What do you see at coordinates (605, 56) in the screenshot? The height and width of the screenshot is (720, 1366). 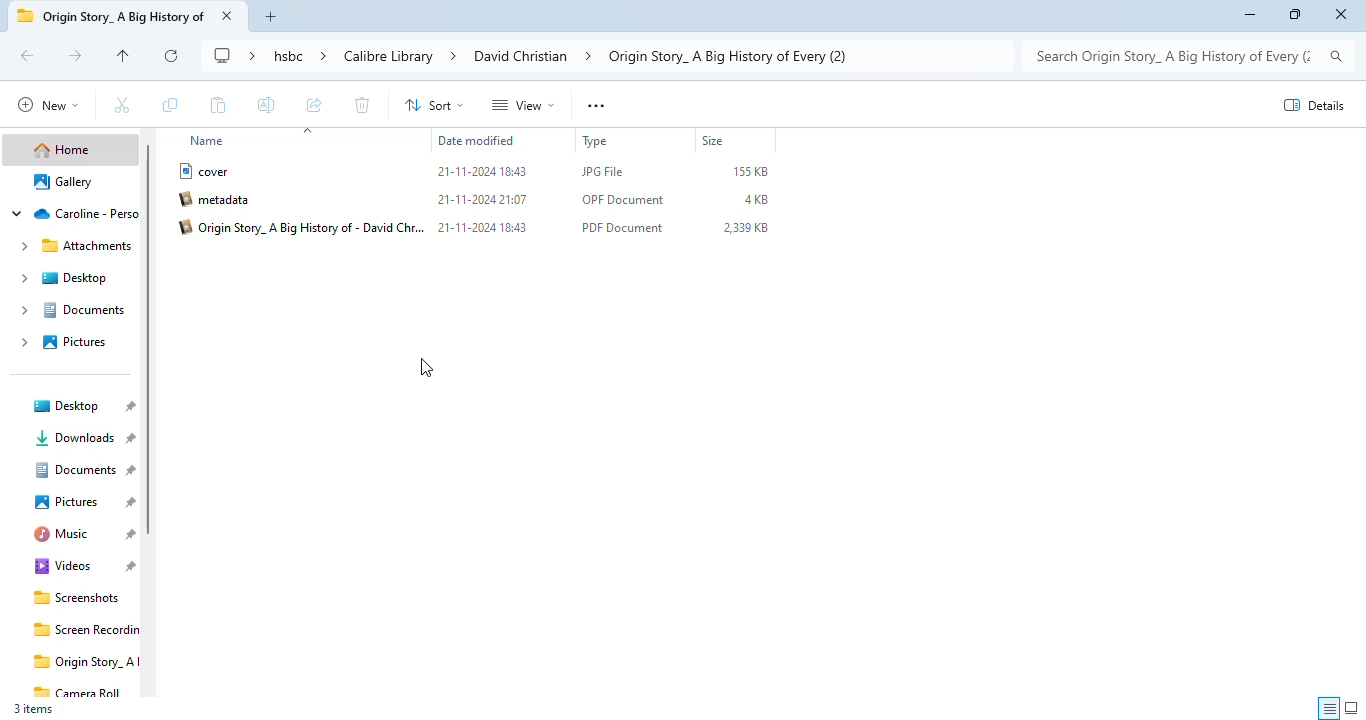 I see `folder` at bounding box center [605, 56].